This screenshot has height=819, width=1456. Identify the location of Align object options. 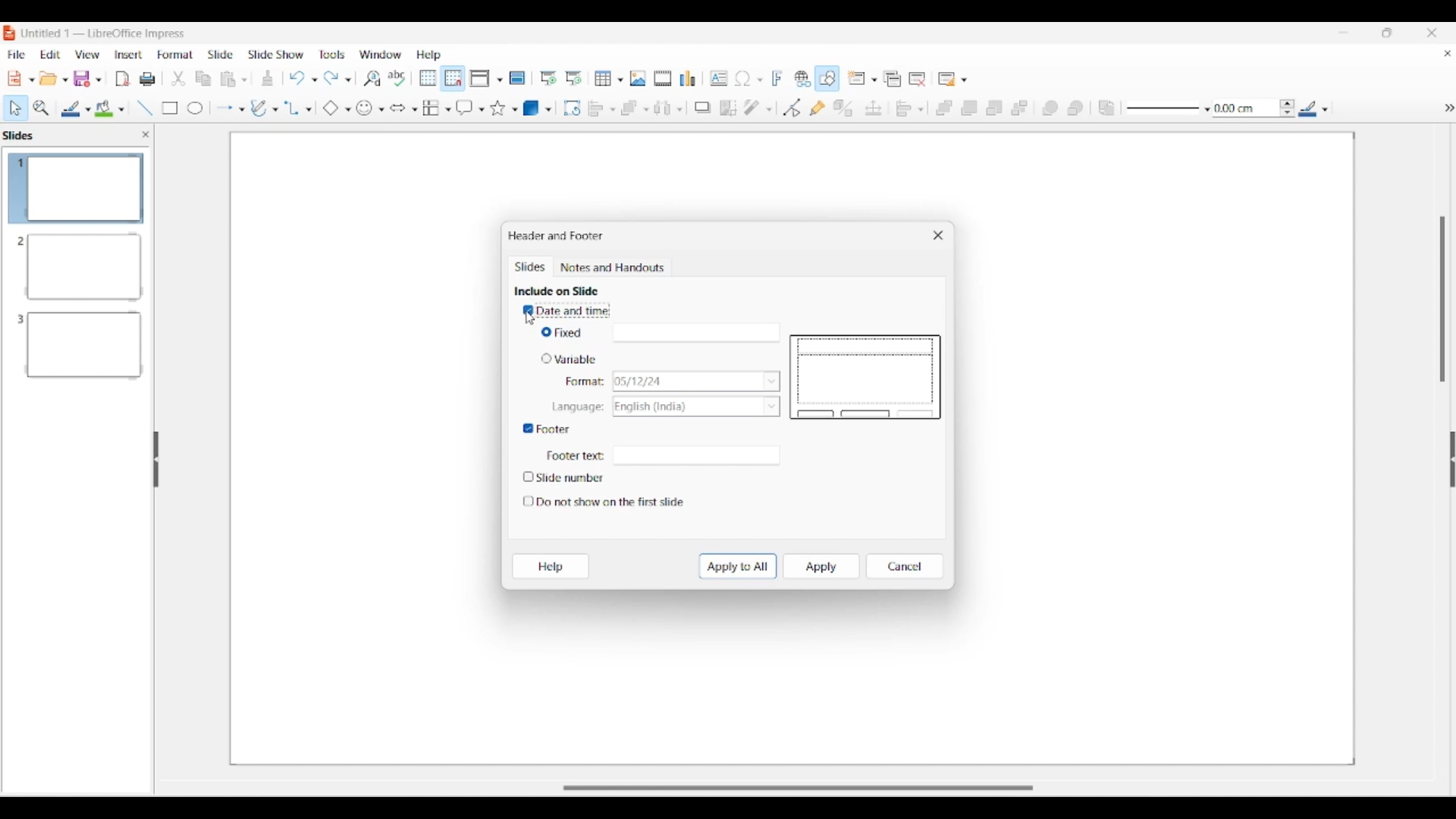
(602, 109).